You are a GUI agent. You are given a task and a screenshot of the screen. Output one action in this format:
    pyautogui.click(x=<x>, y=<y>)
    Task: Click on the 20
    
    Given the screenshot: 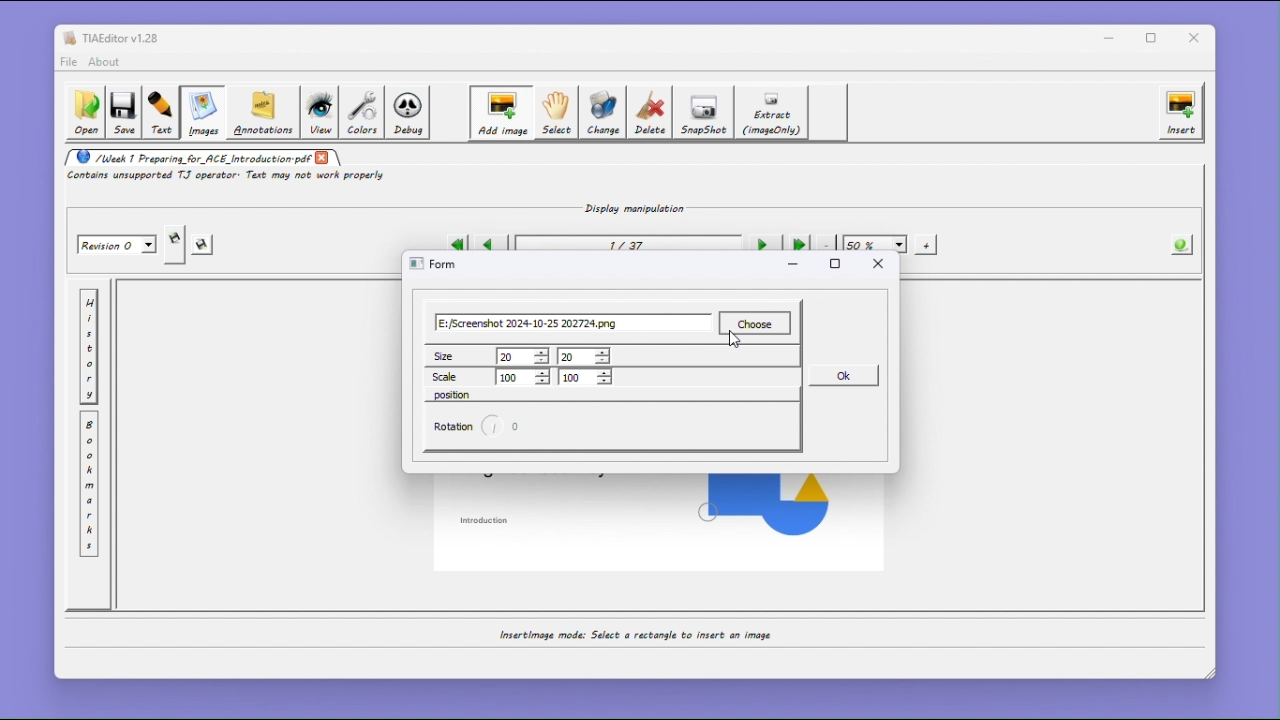 What is the action you would take?
    pyautogui.click(x=584, y=356)
    